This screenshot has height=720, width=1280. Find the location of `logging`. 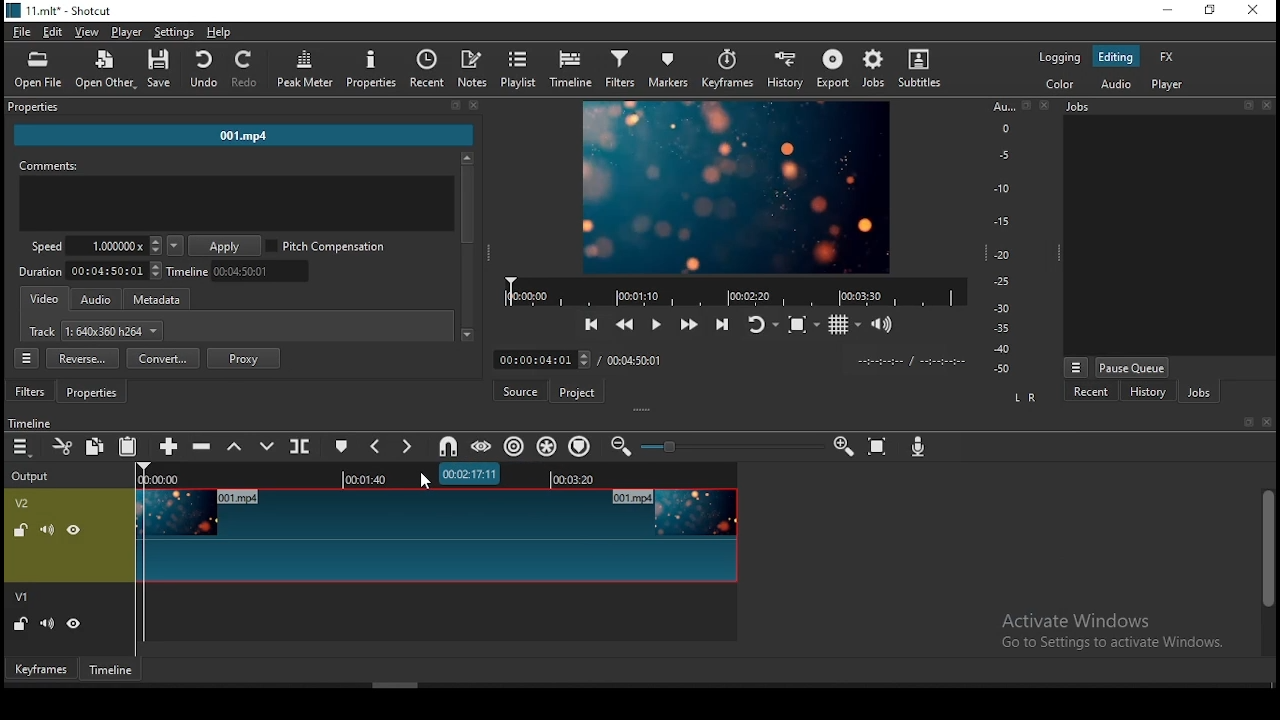

logging is located at coordinates (1060, 56).